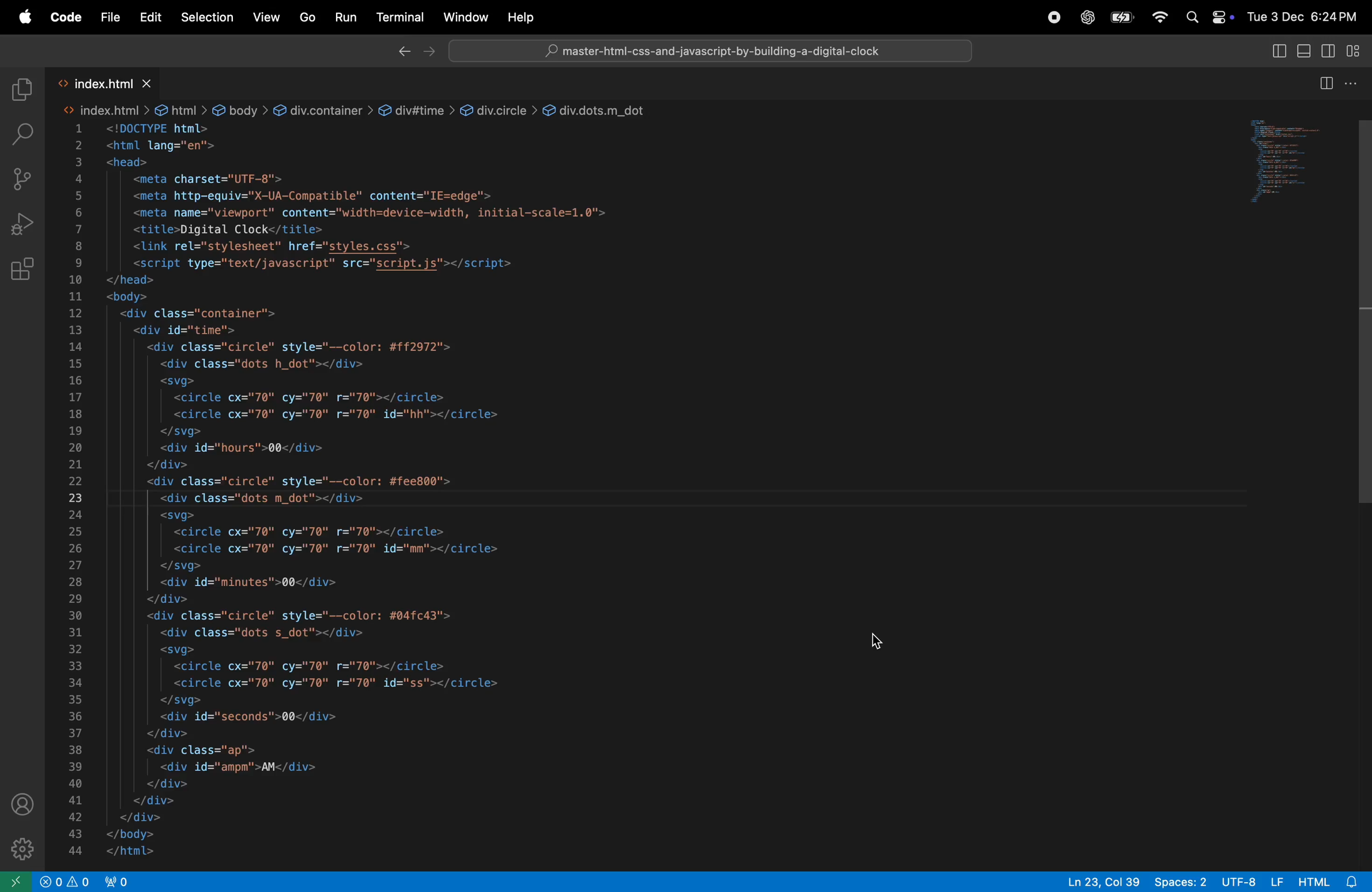 The width and height of the screenshot is (1372, 892). I want to click on chatgpt, so click(1090, 18).